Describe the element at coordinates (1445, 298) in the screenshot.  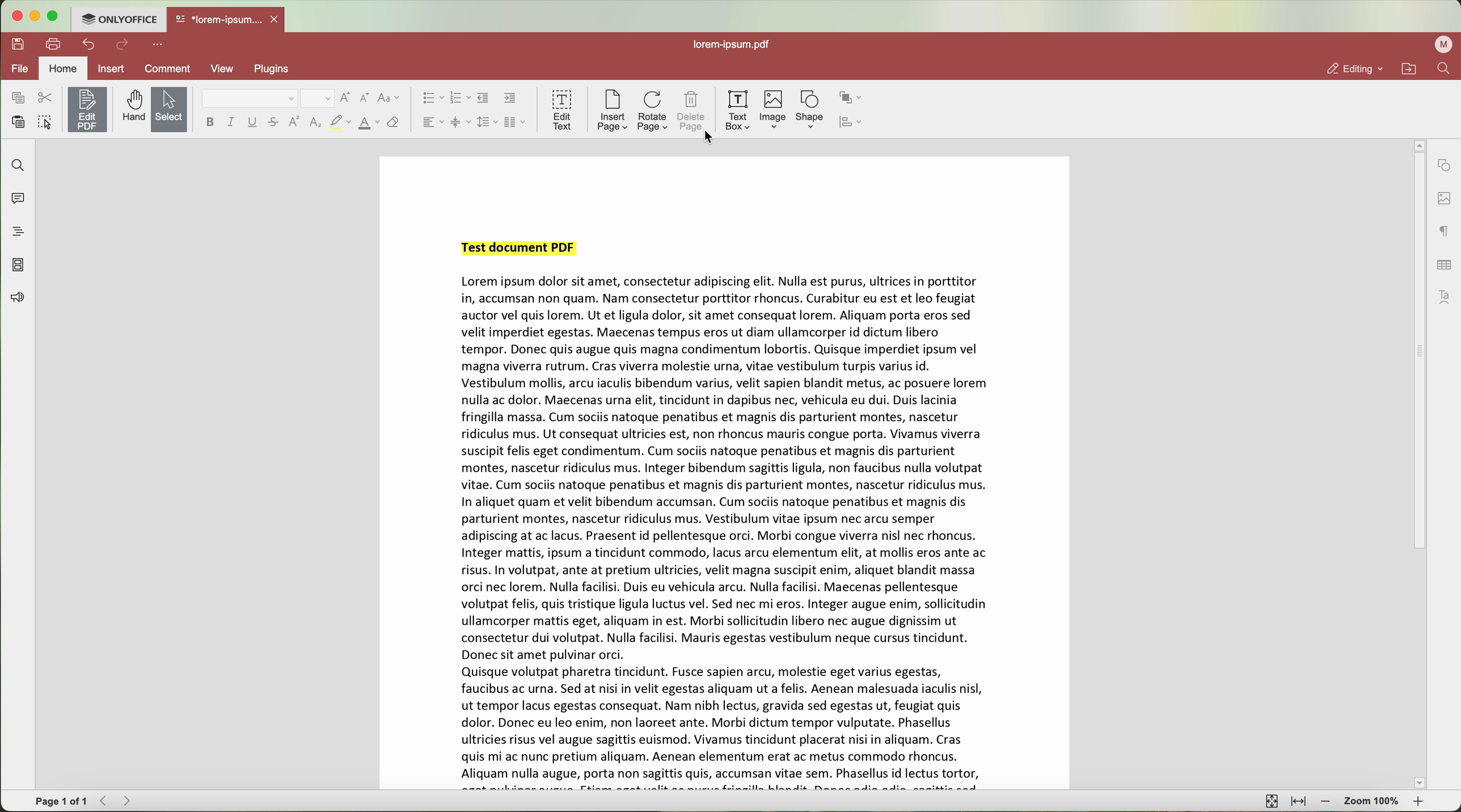
I see `text art settings` at that location.